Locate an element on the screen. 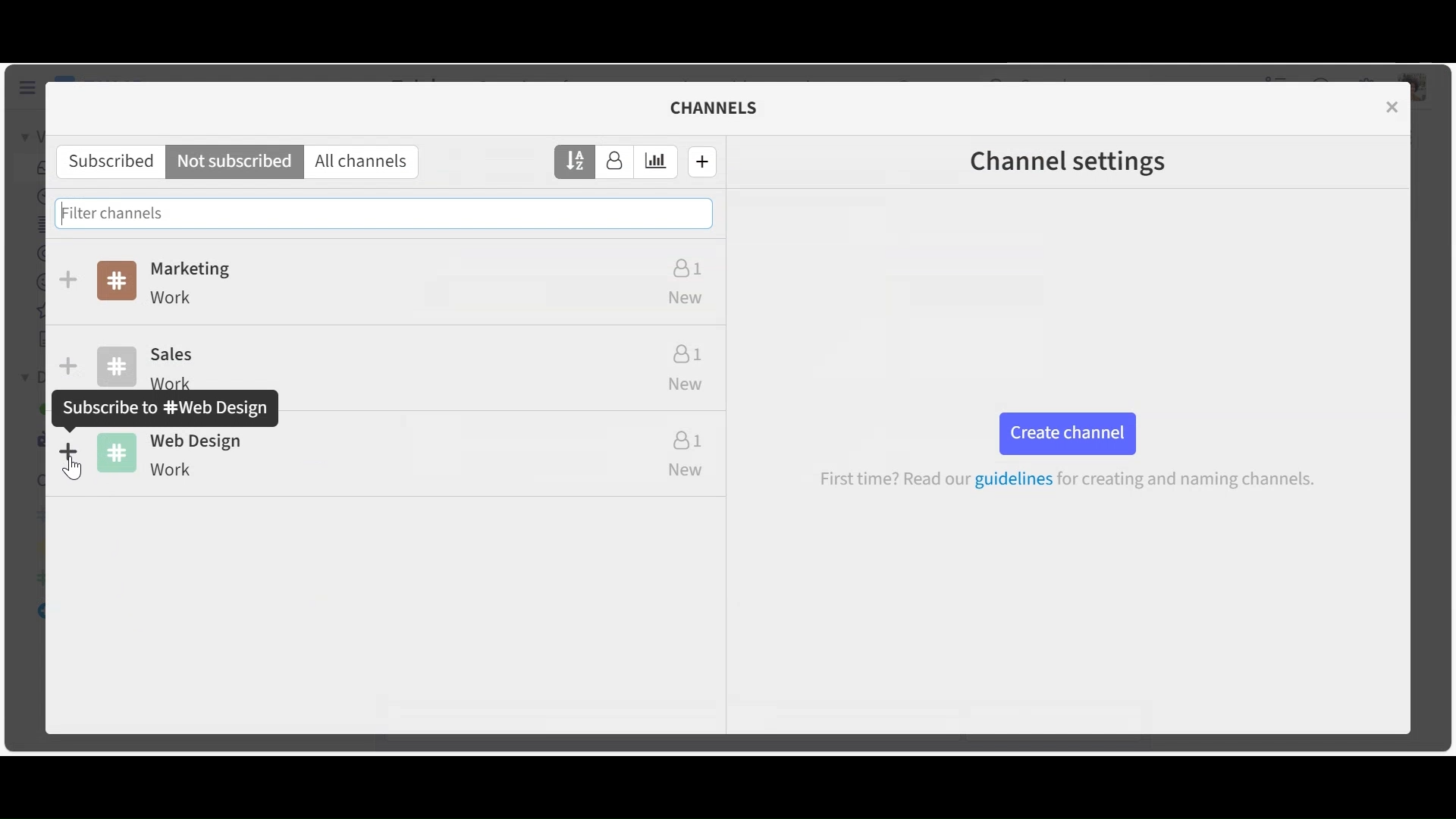 The image size is (1456, 819). Cursor is located at coordinates (74, 474).